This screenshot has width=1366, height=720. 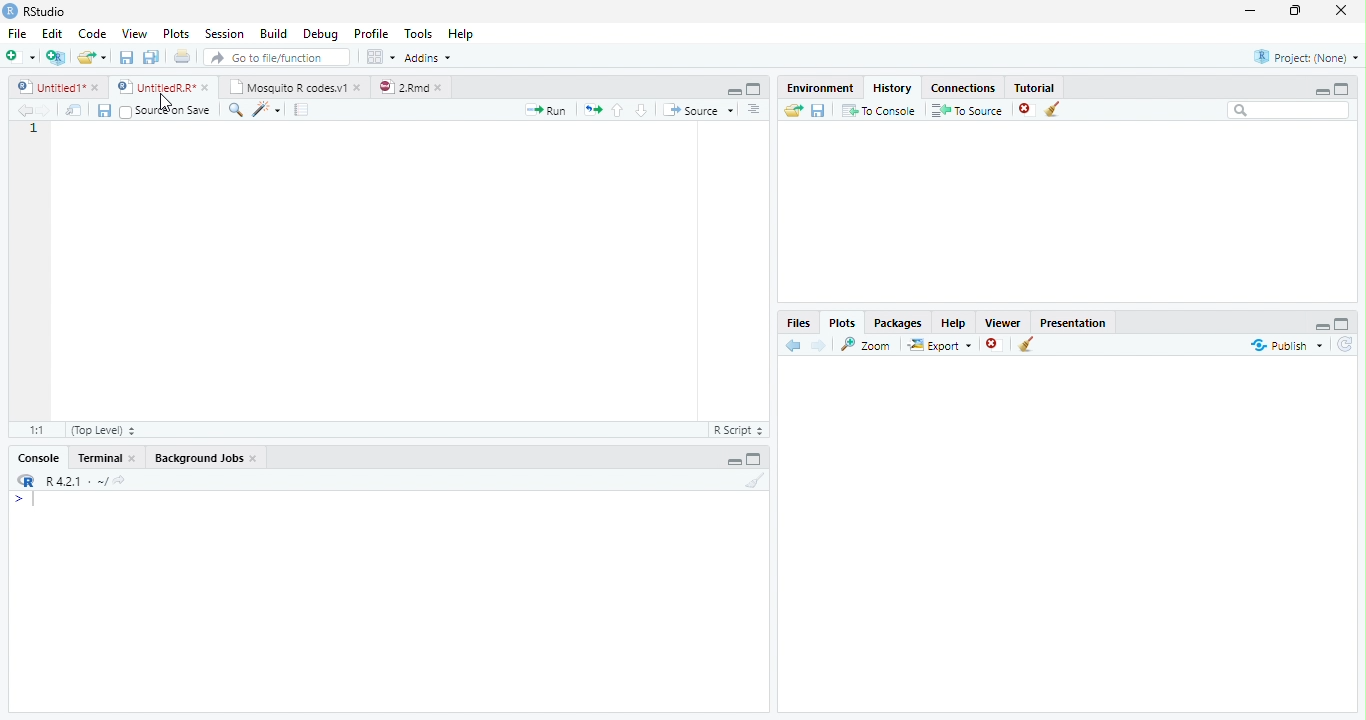 What do you see at coordinates (35, 430) in the screenshot?
I see `1:1` at bounding box center [35, 430].